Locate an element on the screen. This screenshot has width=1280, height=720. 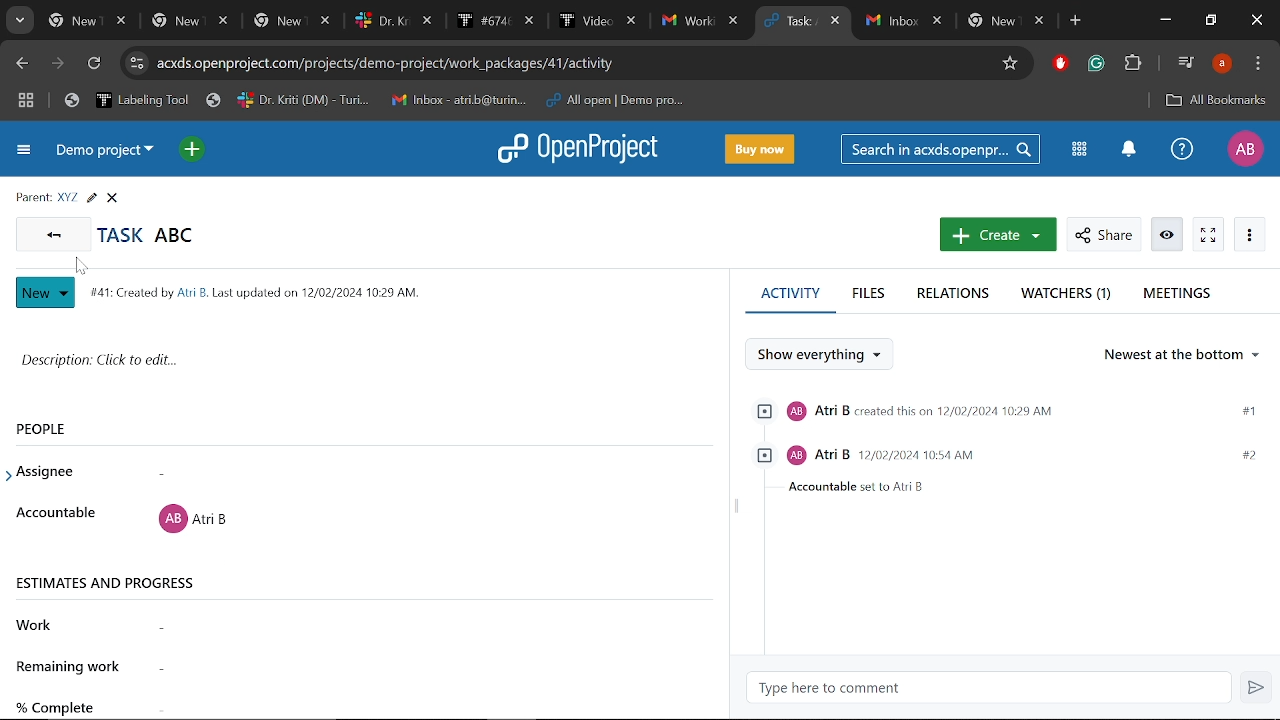
Meetings is located at coordinates (1174, 297).